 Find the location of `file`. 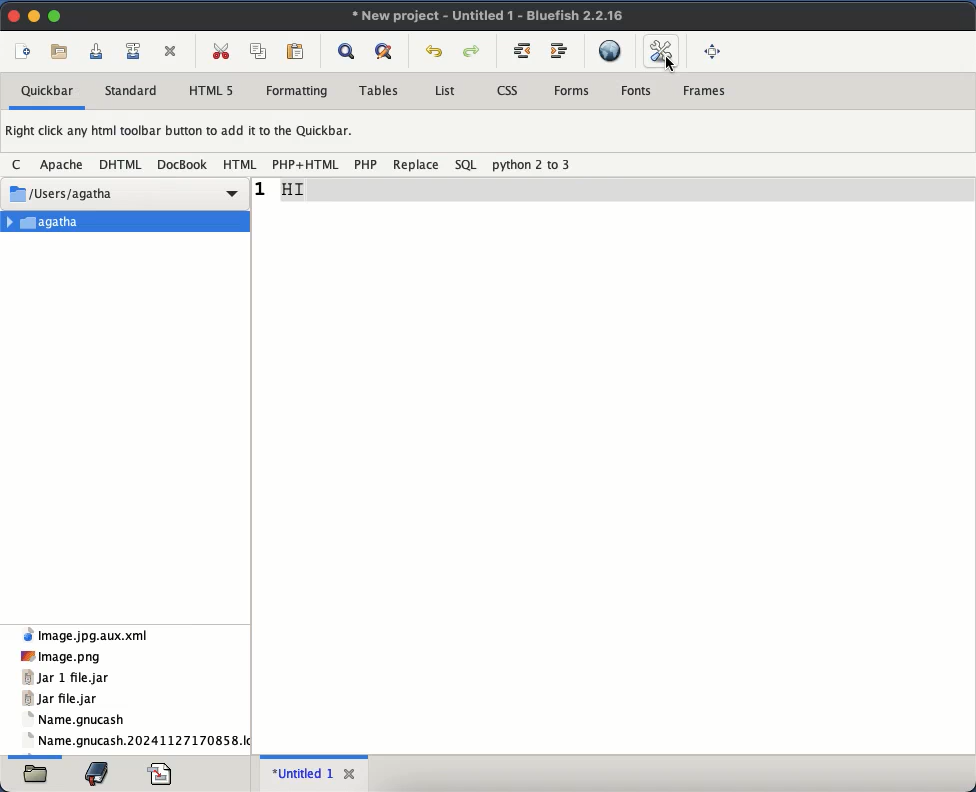

file is located at coordinates (162, 772).